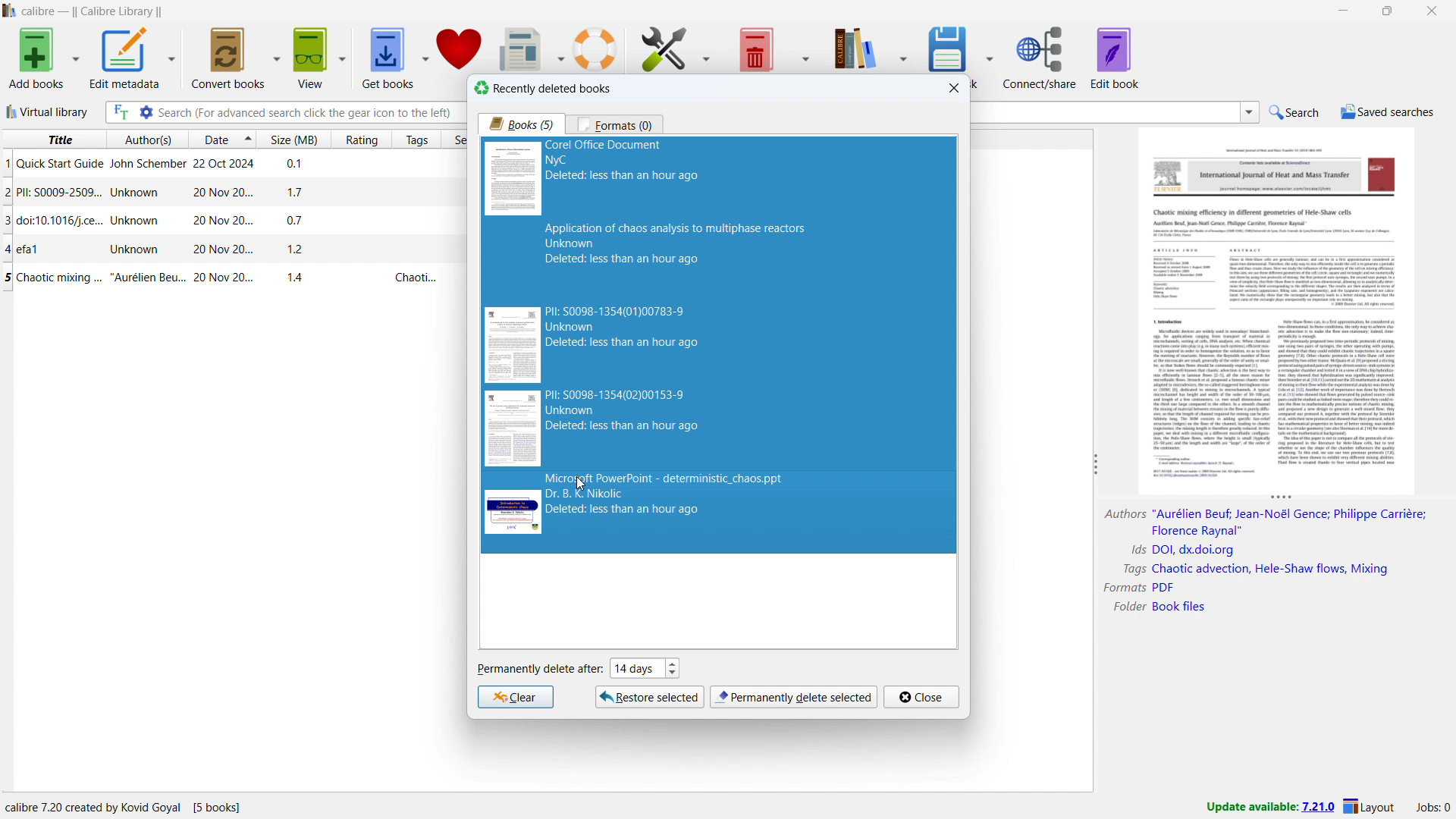  Describe the element at coordinates (1430, 11) in the screenshot. I see `close` at that location.